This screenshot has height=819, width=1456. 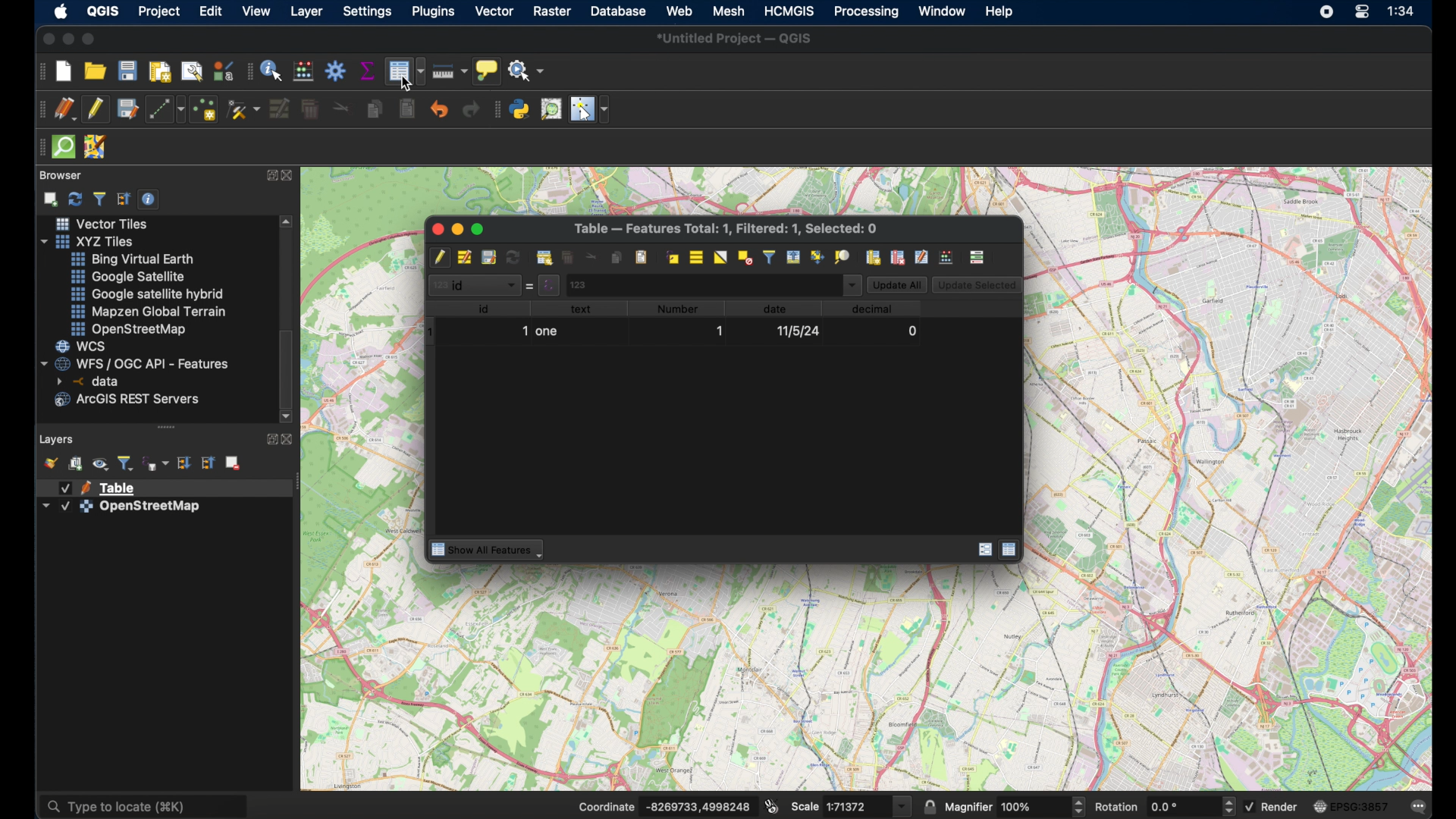 I want to click on vertex tool, so click(x=243, y=108).